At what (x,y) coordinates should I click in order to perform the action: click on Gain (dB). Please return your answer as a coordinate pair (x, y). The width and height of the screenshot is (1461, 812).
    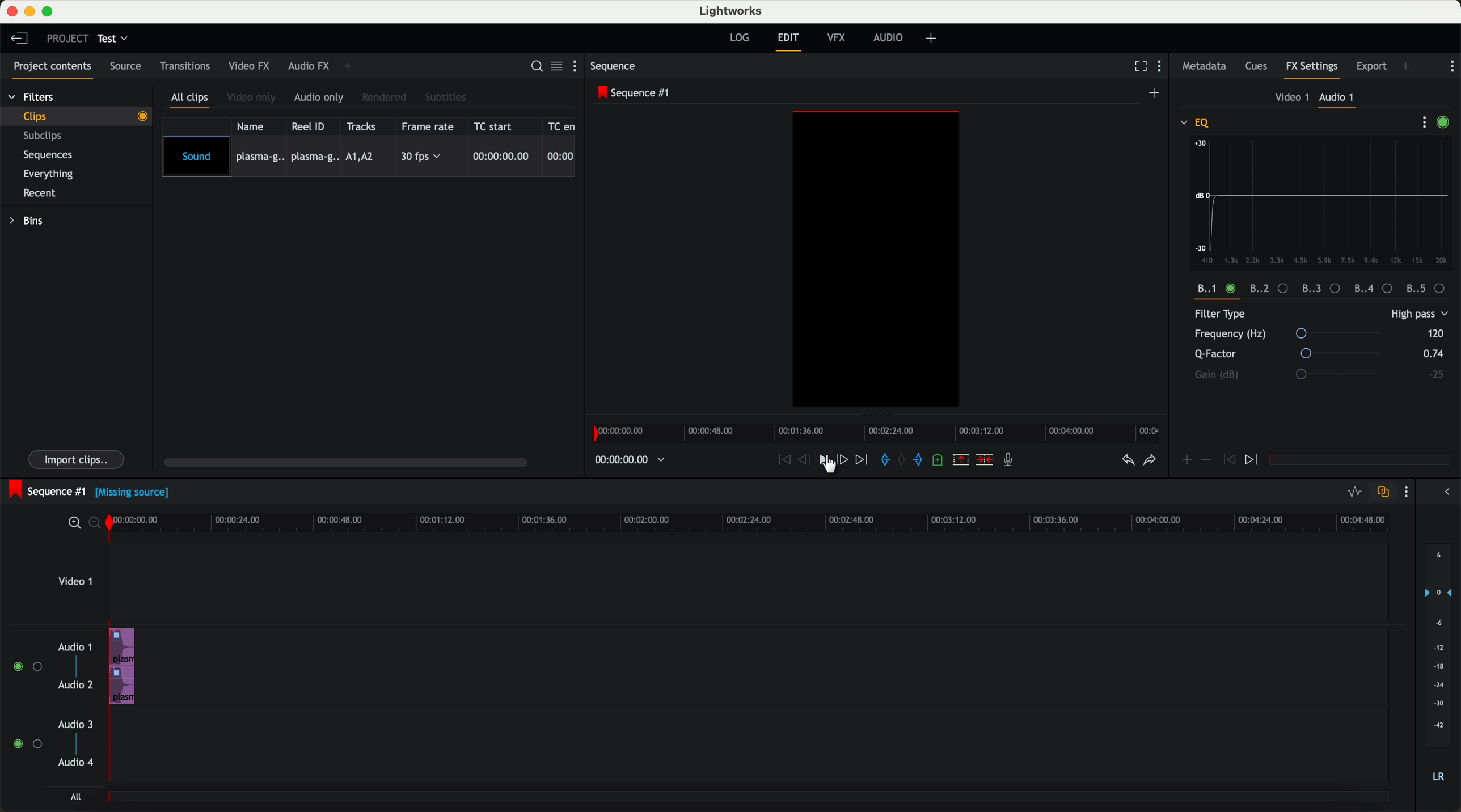
    Looking at the image, I should click on (1304, 374).